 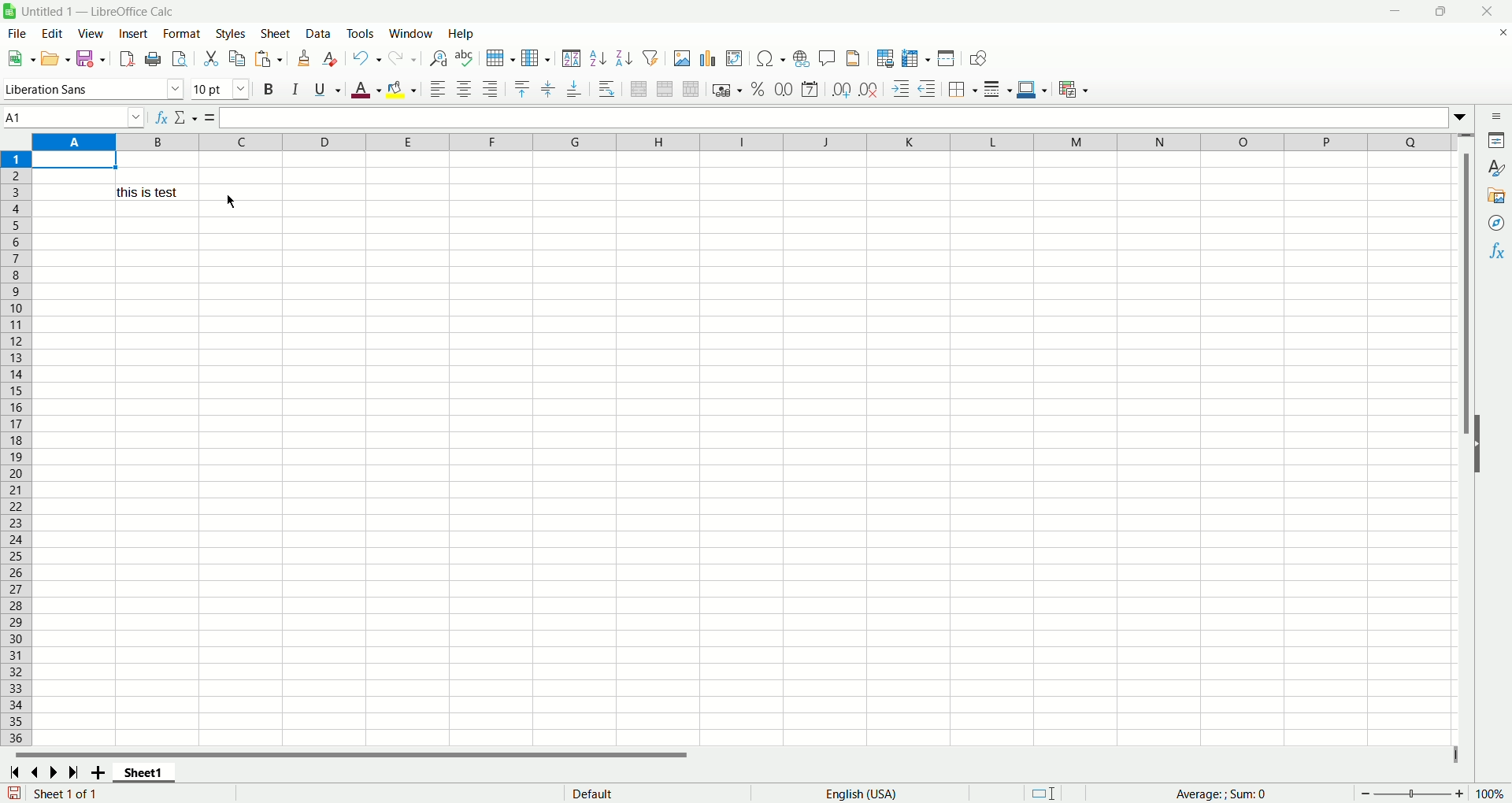 I want to click on previous sheet, so click(x=37, y=773).